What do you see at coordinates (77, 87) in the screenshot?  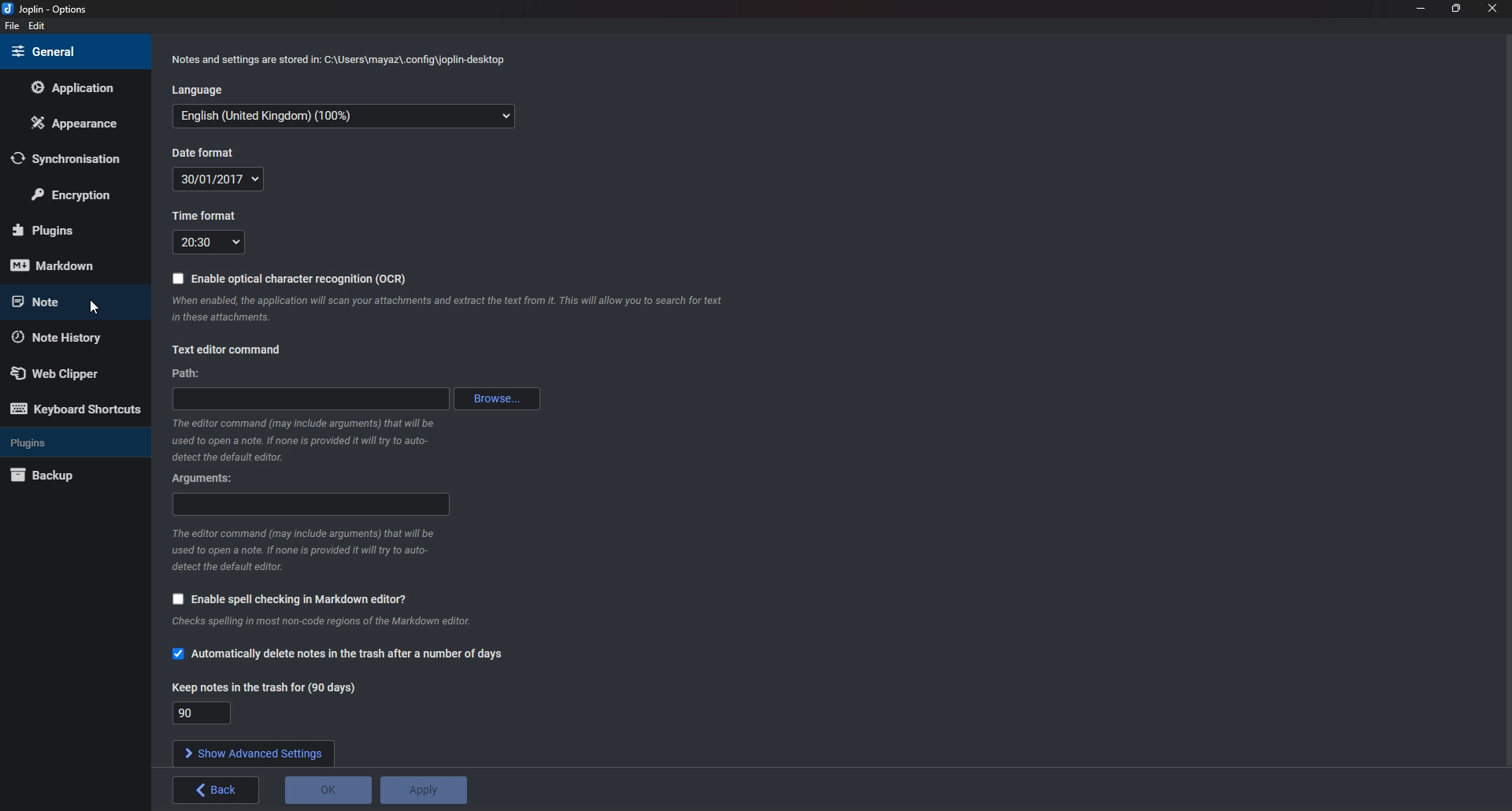 I see `Application` at bounding box center [77, 87].